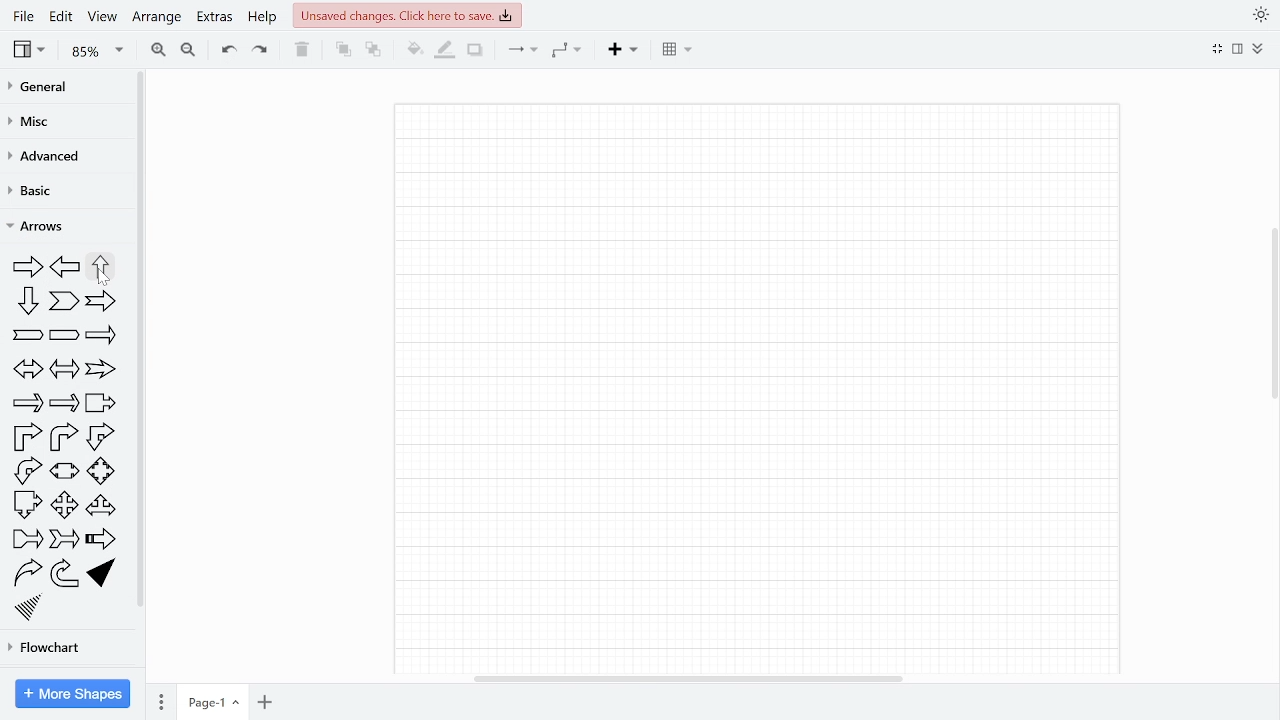 This screenshot has width=1280, height=720. What do you see at coordinates (38, 123) in the screenshot?
I see `Misc` at bounding box center [38, 123].